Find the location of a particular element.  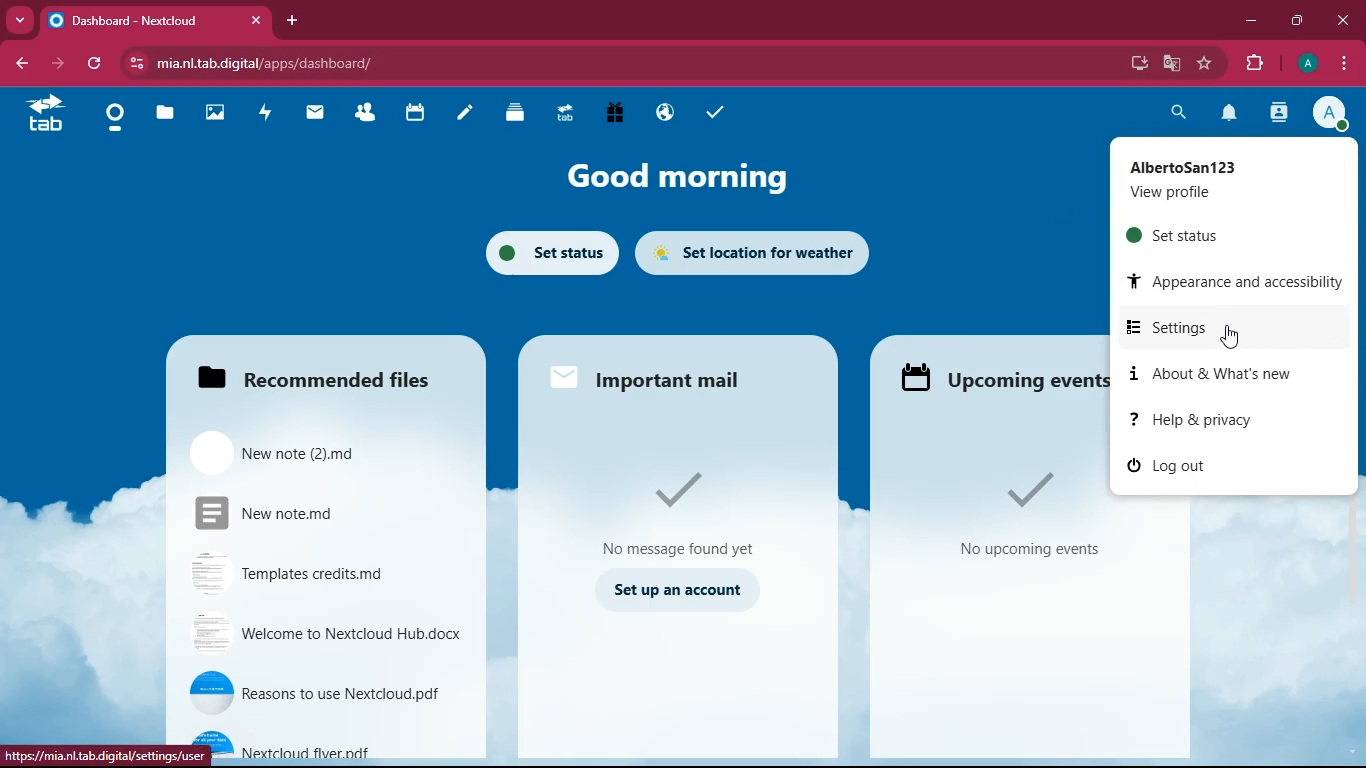

set up an account is located at coordinates (677, 590).